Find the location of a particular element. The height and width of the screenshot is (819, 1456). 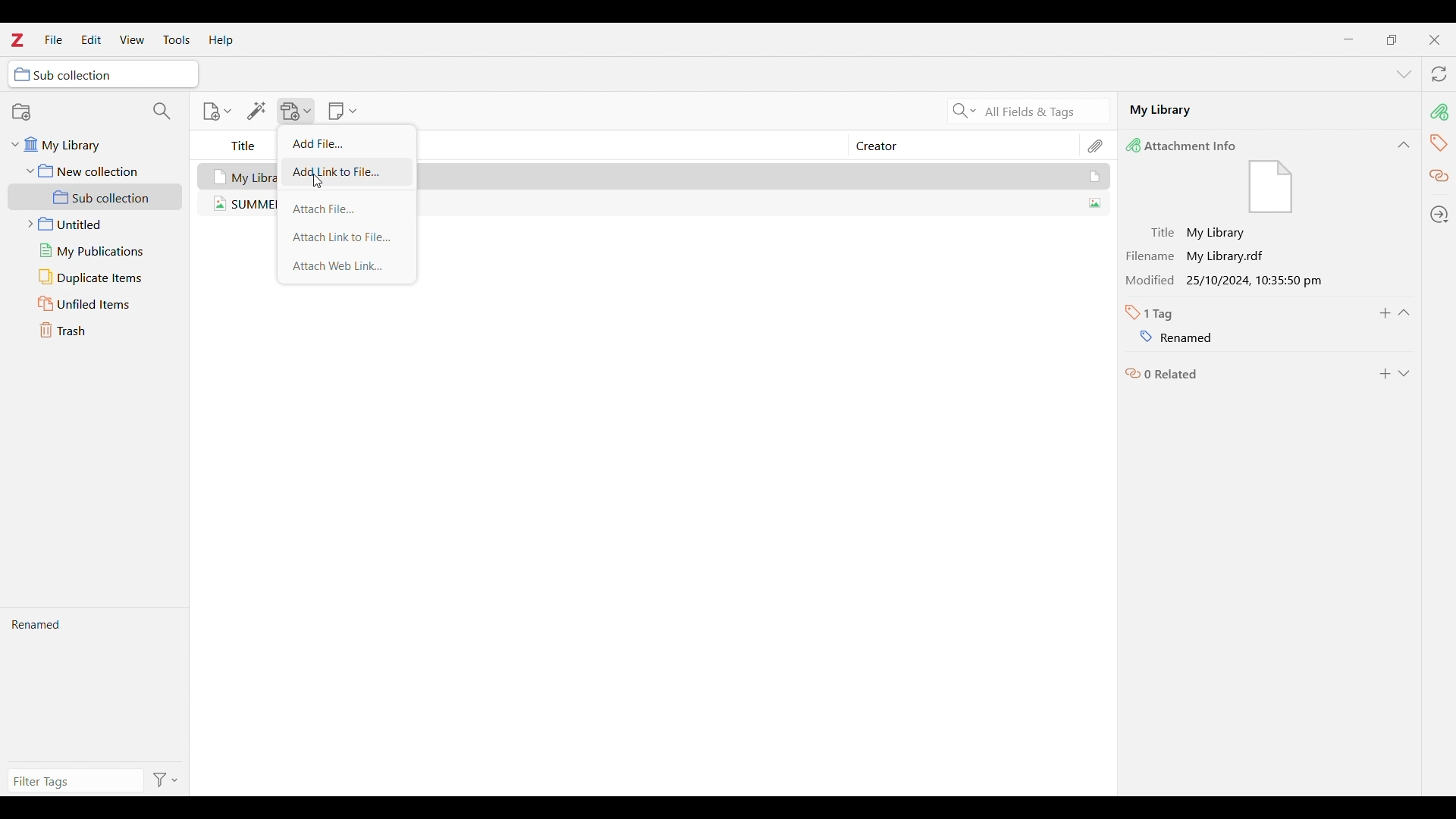

Expand is located at coordinates (1404, 374).